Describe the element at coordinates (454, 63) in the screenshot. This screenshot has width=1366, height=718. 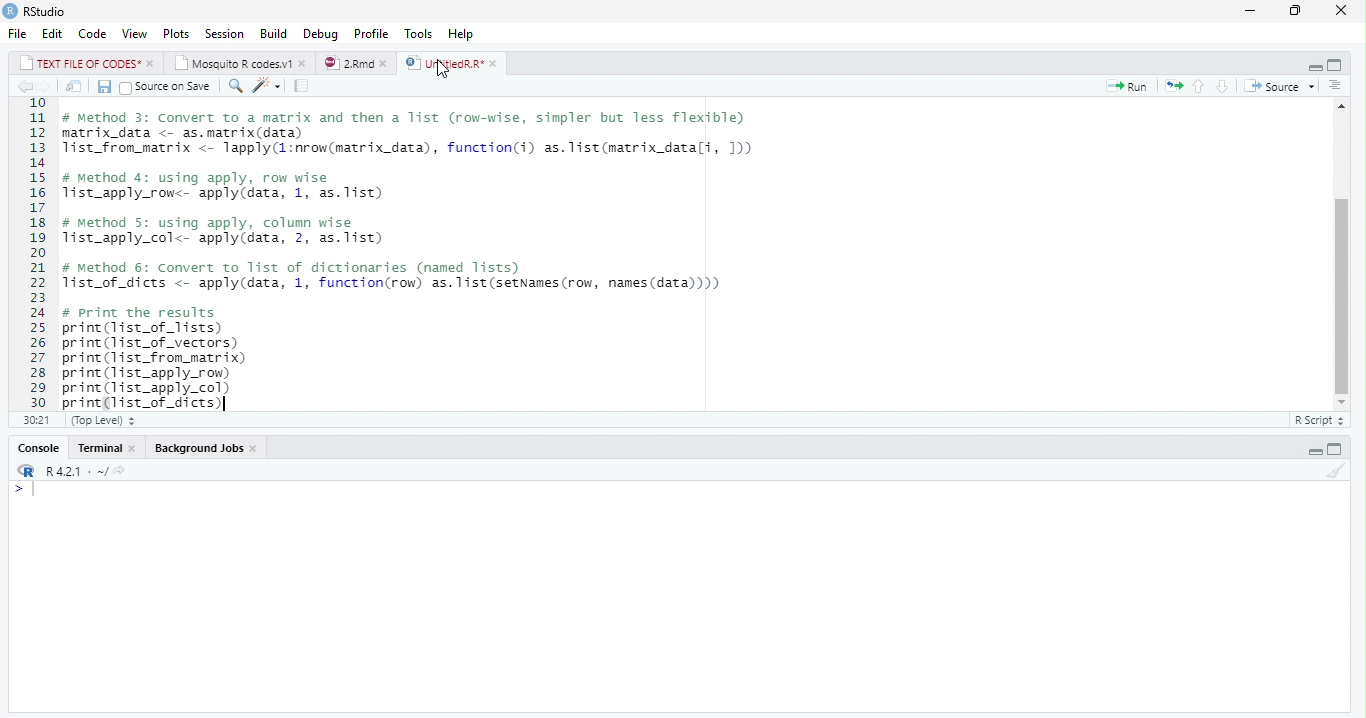
I see `UntitiedR.R*` at that location.